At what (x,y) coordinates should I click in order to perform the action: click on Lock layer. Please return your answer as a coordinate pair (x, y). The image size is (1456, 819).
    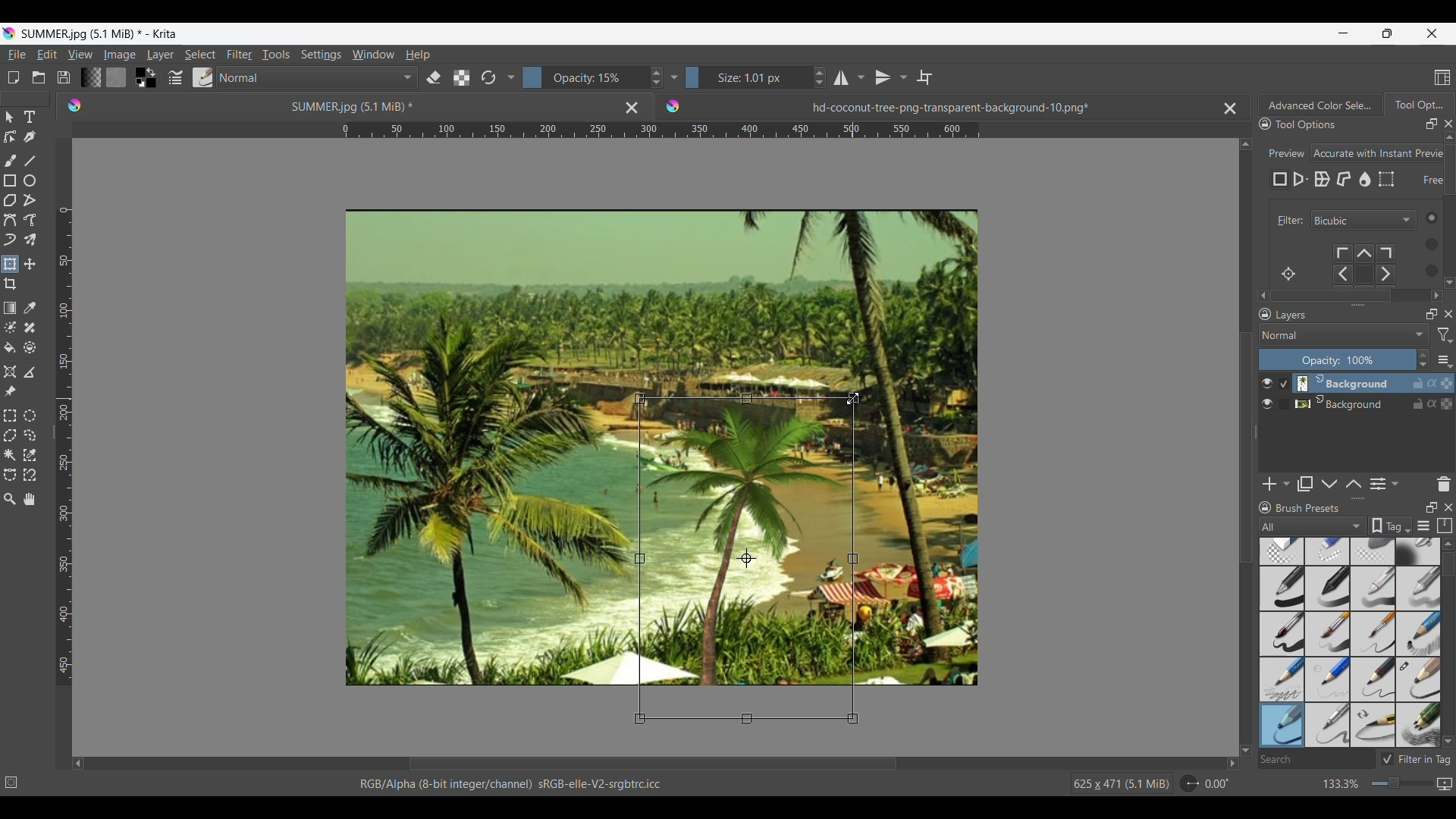
    Looking at the image, I should click on (1418, 403).